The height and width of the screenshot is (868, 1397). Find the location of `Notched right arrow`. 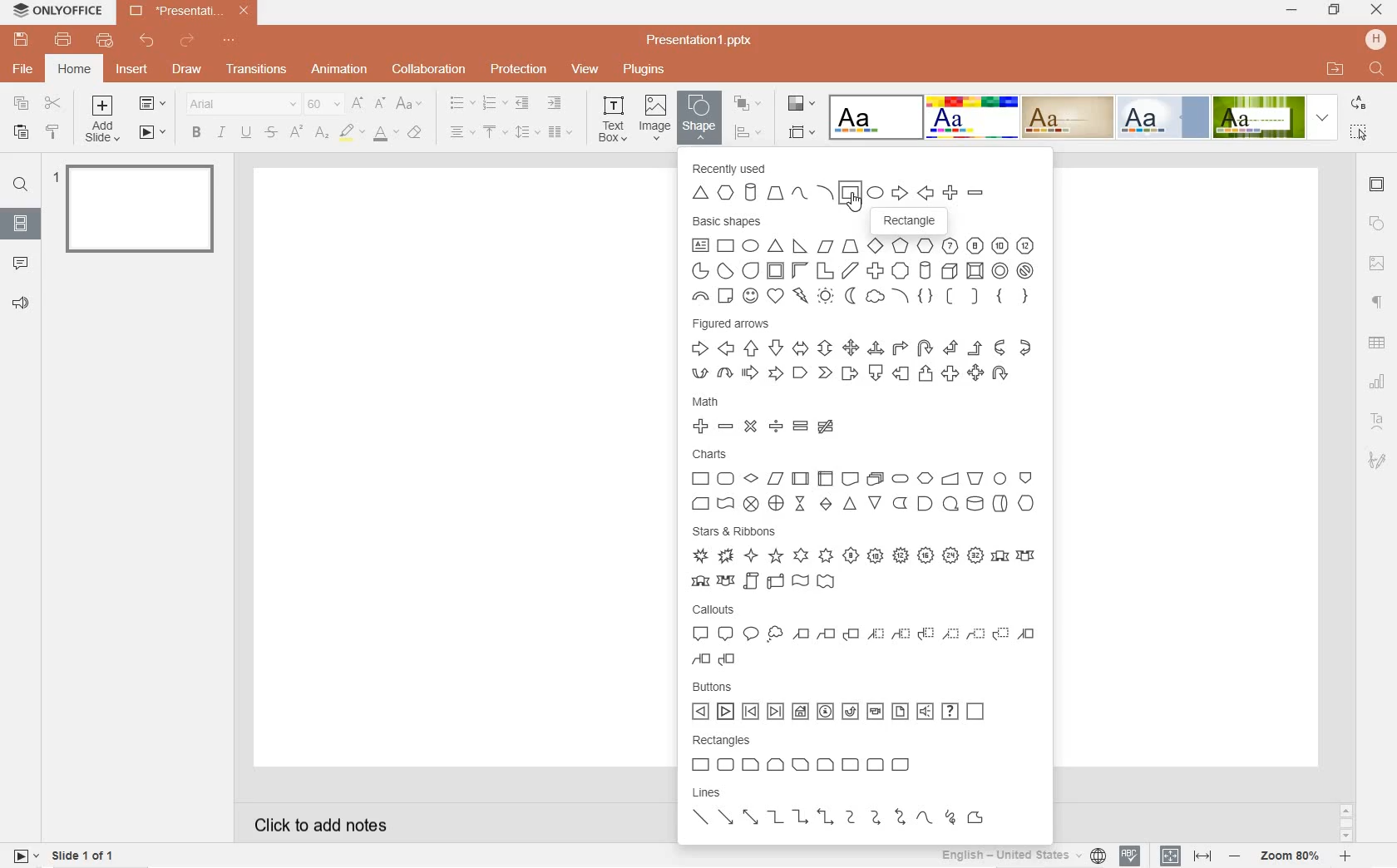

Notched right arrow is located at coordinates (774, 374).